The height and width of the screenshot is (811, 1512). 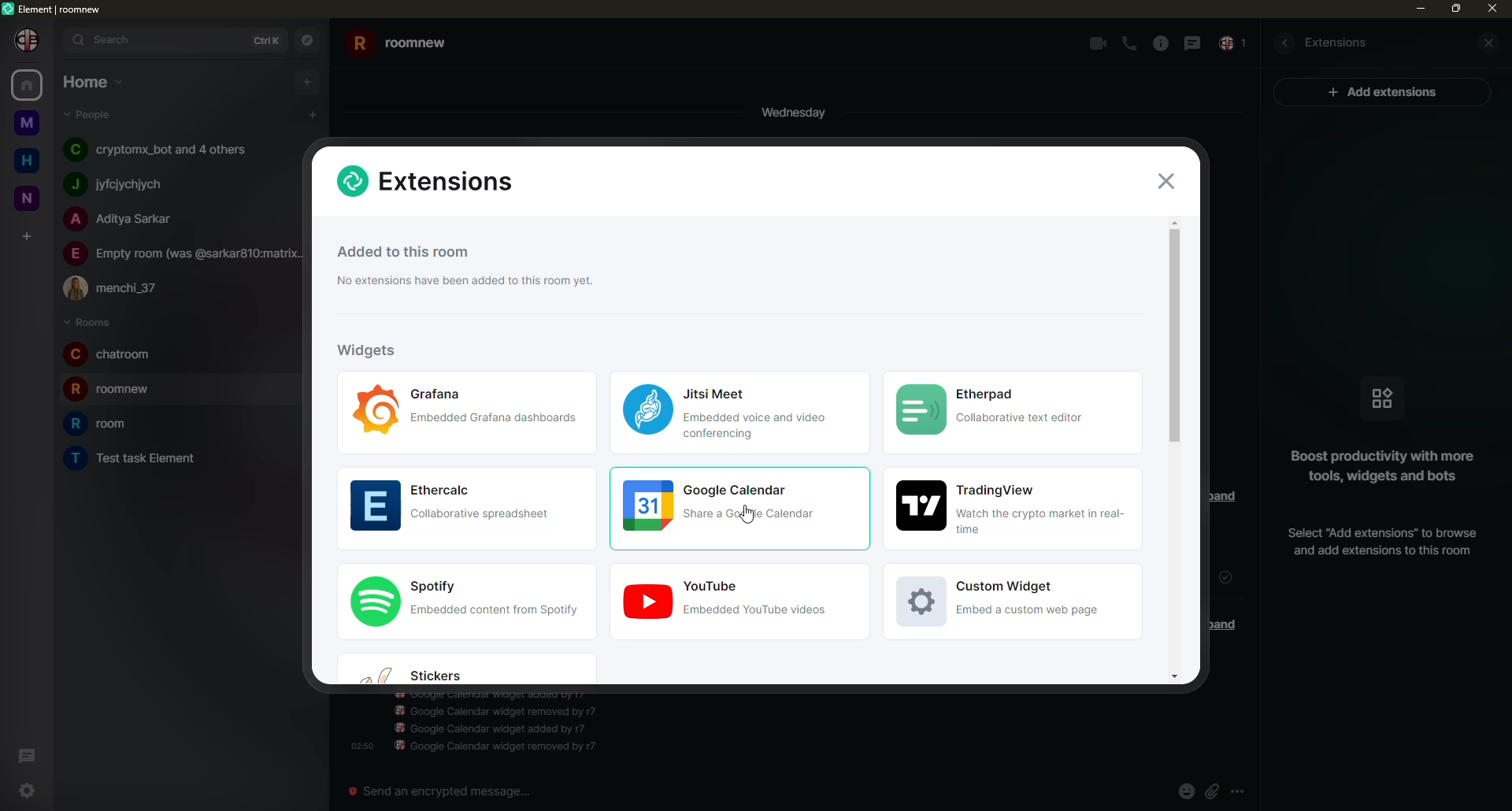 What do you see at coordinates (1173, 338) in the screenshot?
I see `scroll` at bounding box center [1173, 338].